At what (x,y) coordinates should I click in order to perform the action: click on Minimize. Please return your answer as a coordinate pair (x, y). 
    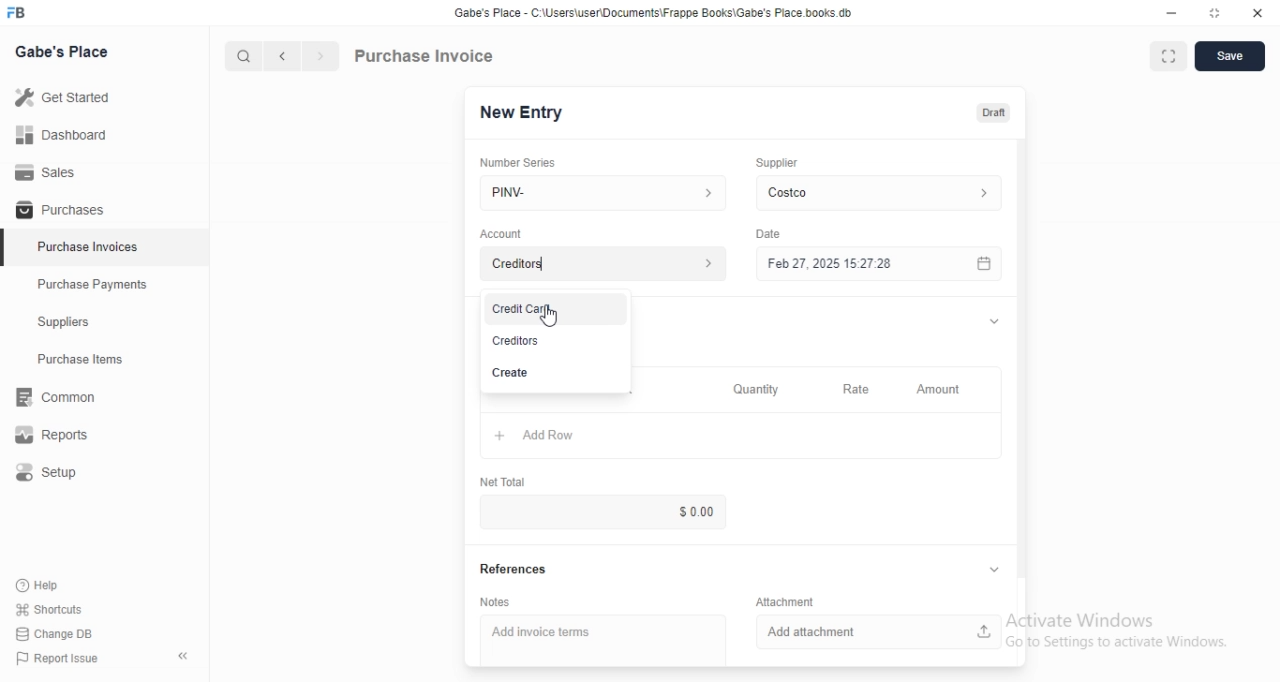
    Looking at the image, I should click on (1171, 13).